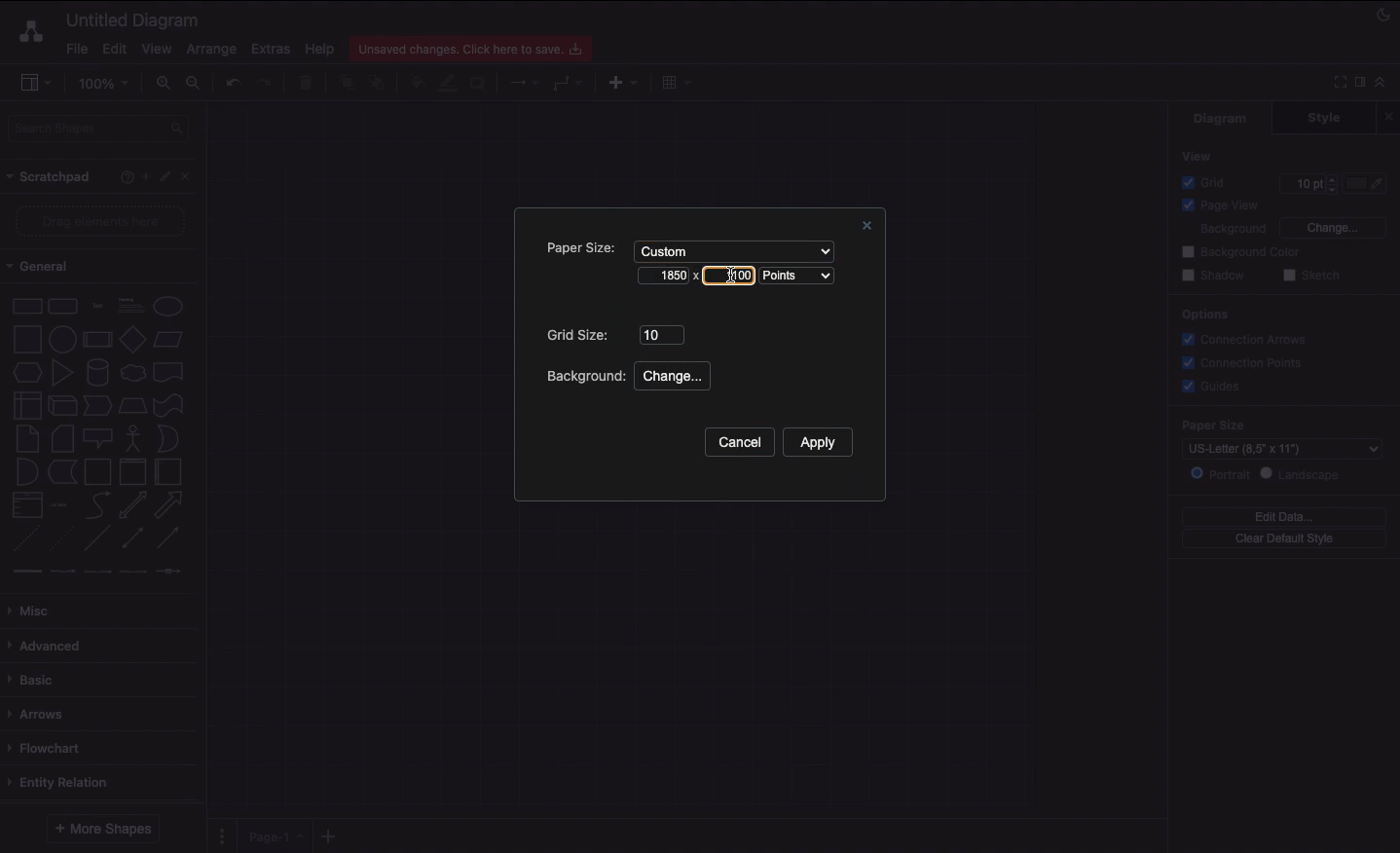  Describe the element at coordinates (1214, 388) in the screenshot. I see `Guides` at that location.